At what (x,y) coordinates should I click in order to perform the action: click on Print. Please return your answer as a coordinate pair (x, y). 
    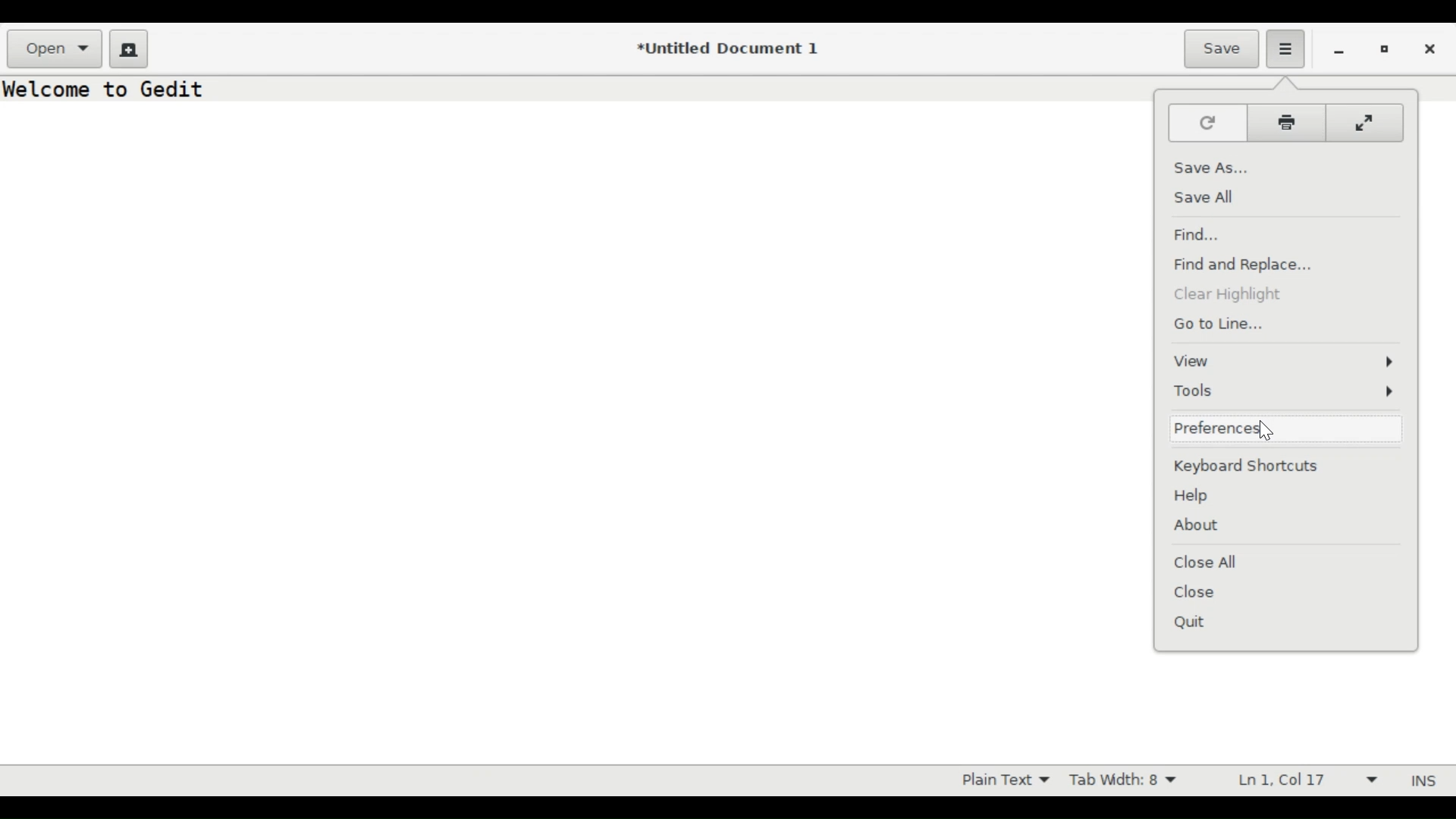
    Looking at the image, I should click on (1287, 121).